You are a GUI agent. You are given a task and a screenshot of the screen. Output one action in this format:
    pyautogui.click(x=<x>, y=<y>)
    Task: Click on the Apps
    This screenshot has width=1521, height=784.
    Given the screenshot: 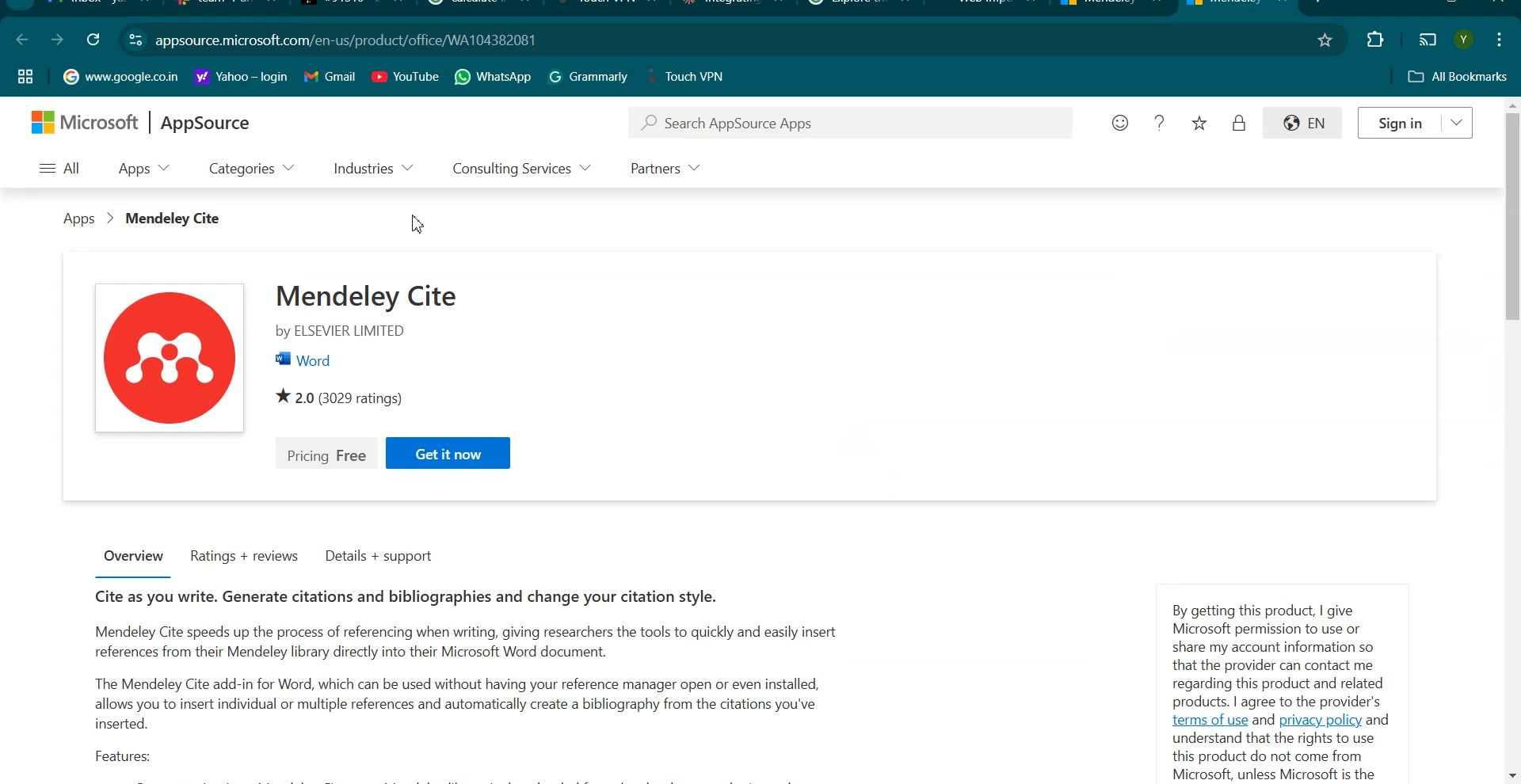 What is the action you would take?
    pyautogui.click(x=141, y=169)
    